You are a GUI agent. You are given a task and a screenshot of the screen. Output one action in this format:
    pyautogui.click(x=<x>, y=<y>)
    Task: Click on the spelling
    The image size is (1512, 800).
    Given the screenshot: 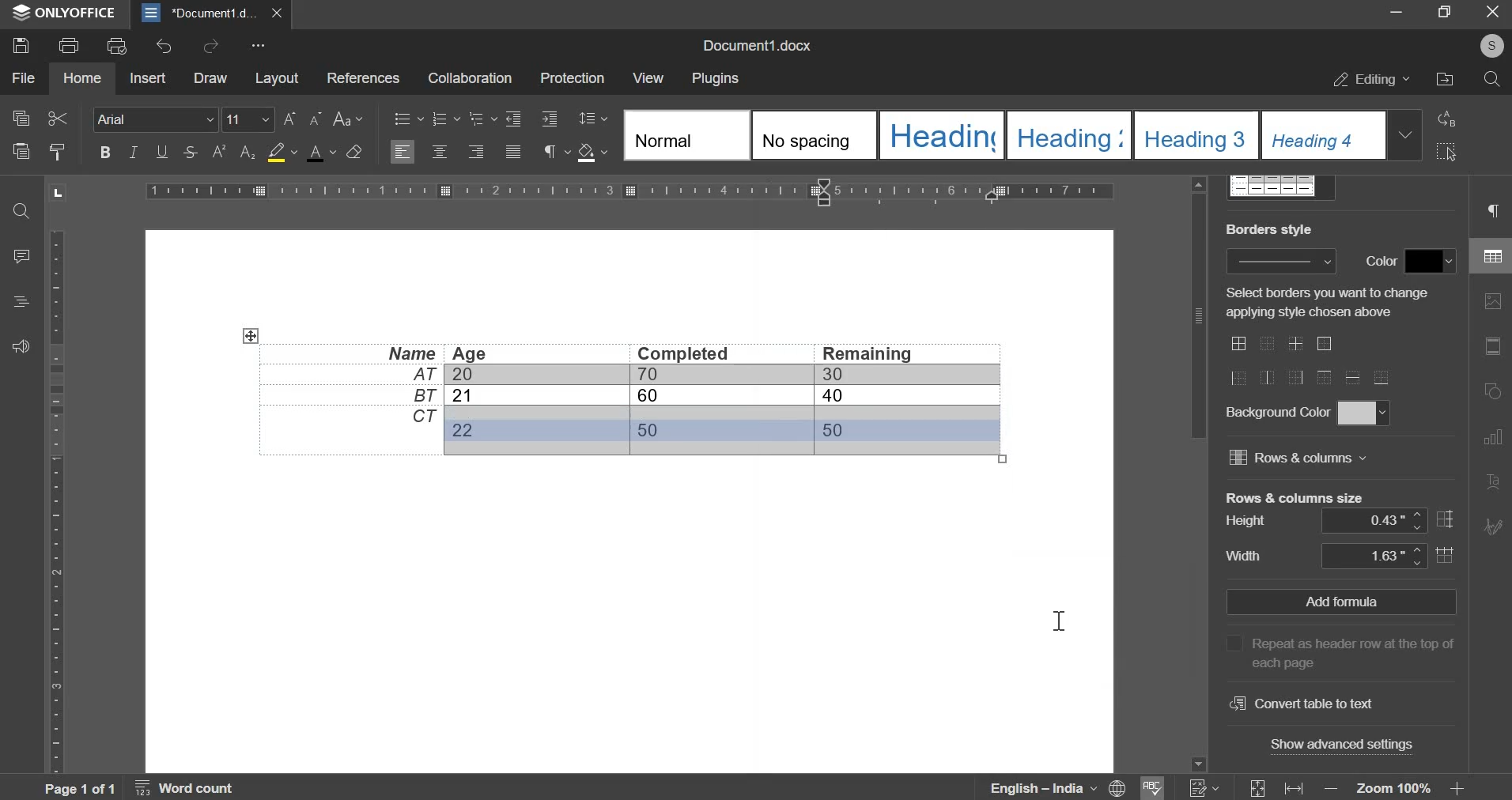 What is the action you would take?
    pyautogui.click(x=1157, y=786)
    